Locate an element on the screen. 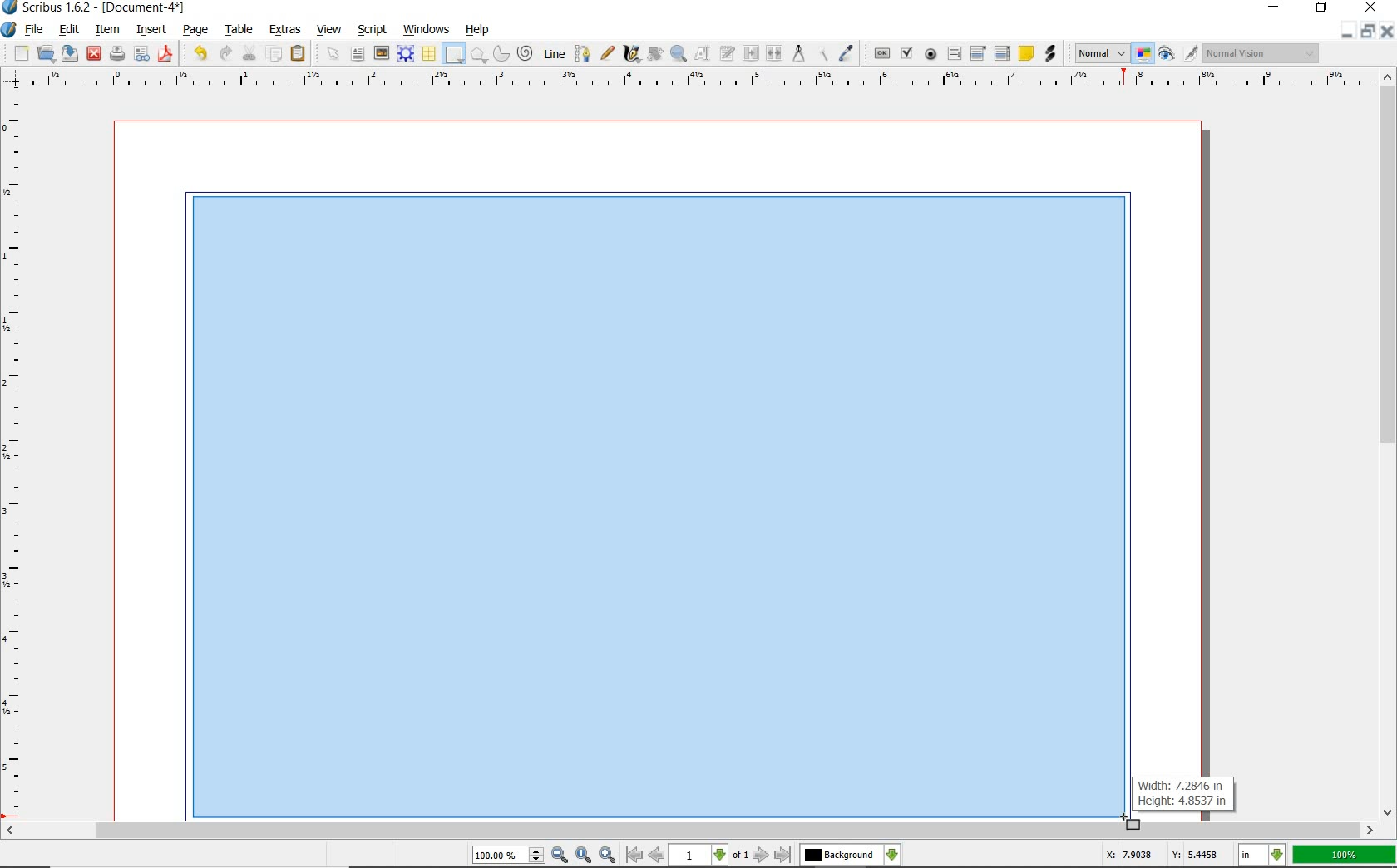 The image size is (1397, 868). ruler is located at coordinates (15, 457).